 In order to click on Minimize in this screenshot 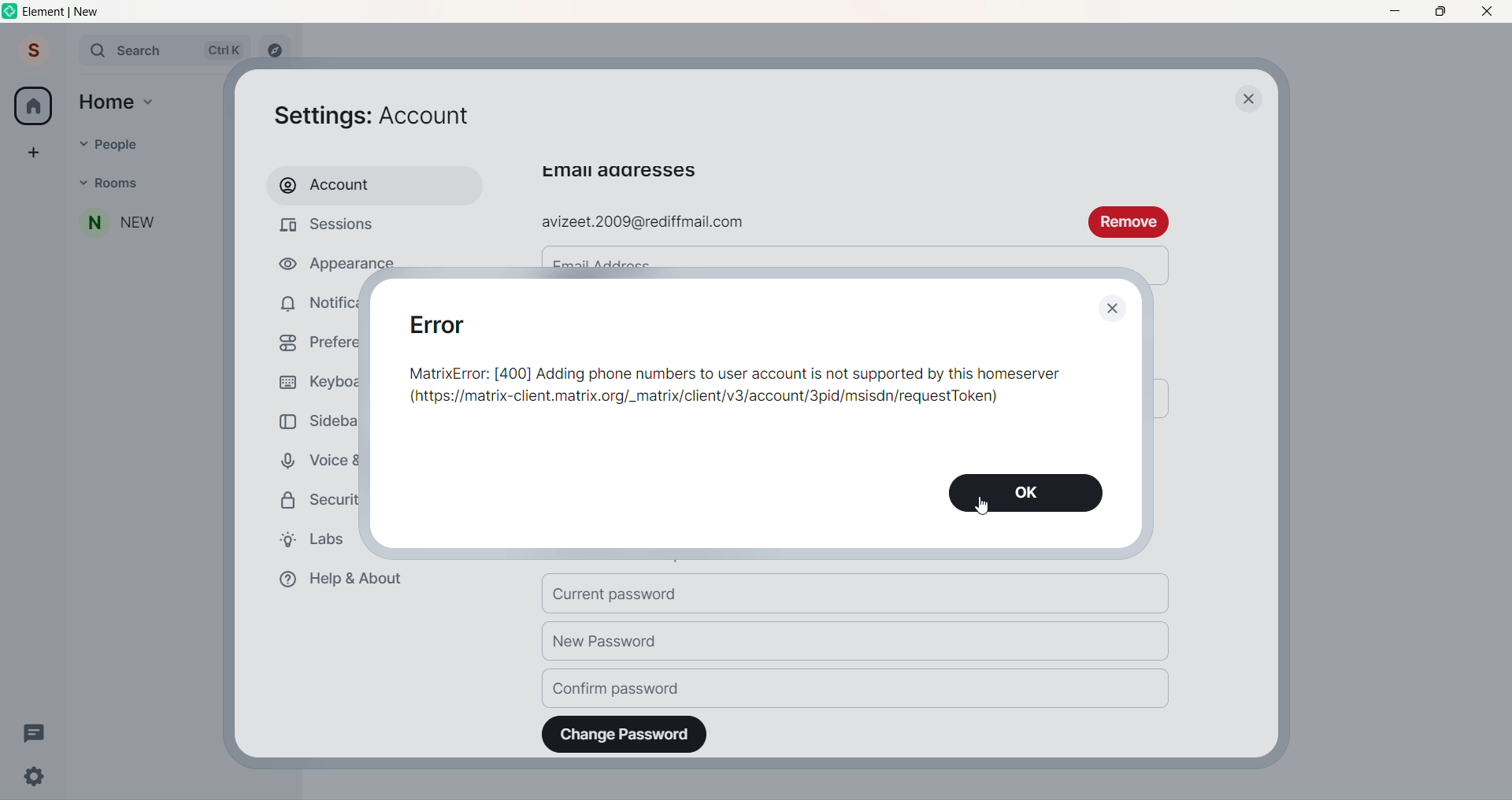, I will do `click(1394, 12)`.